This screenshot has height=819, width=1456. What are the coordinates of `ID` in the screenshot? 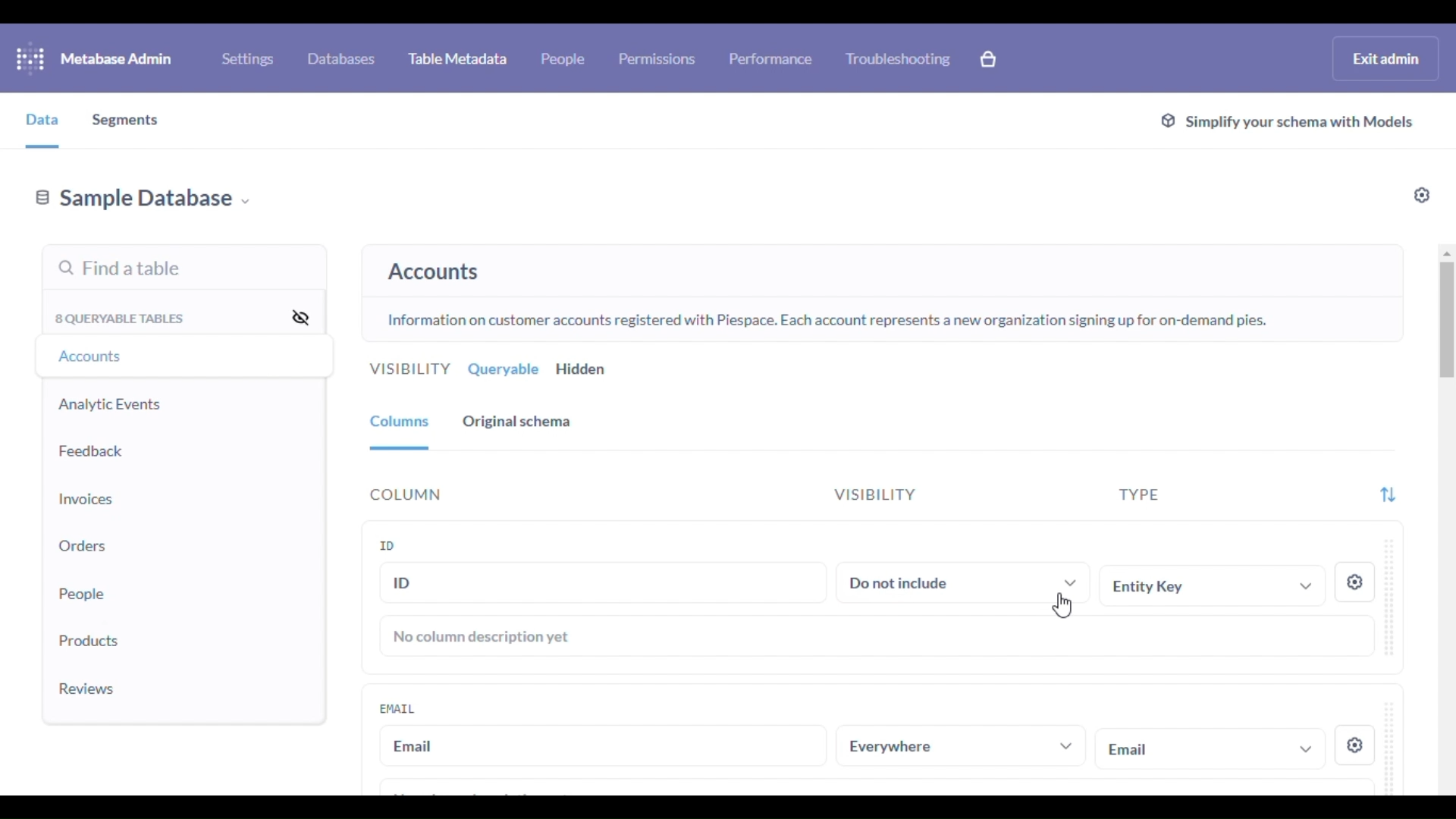 It's located at (602, 582).